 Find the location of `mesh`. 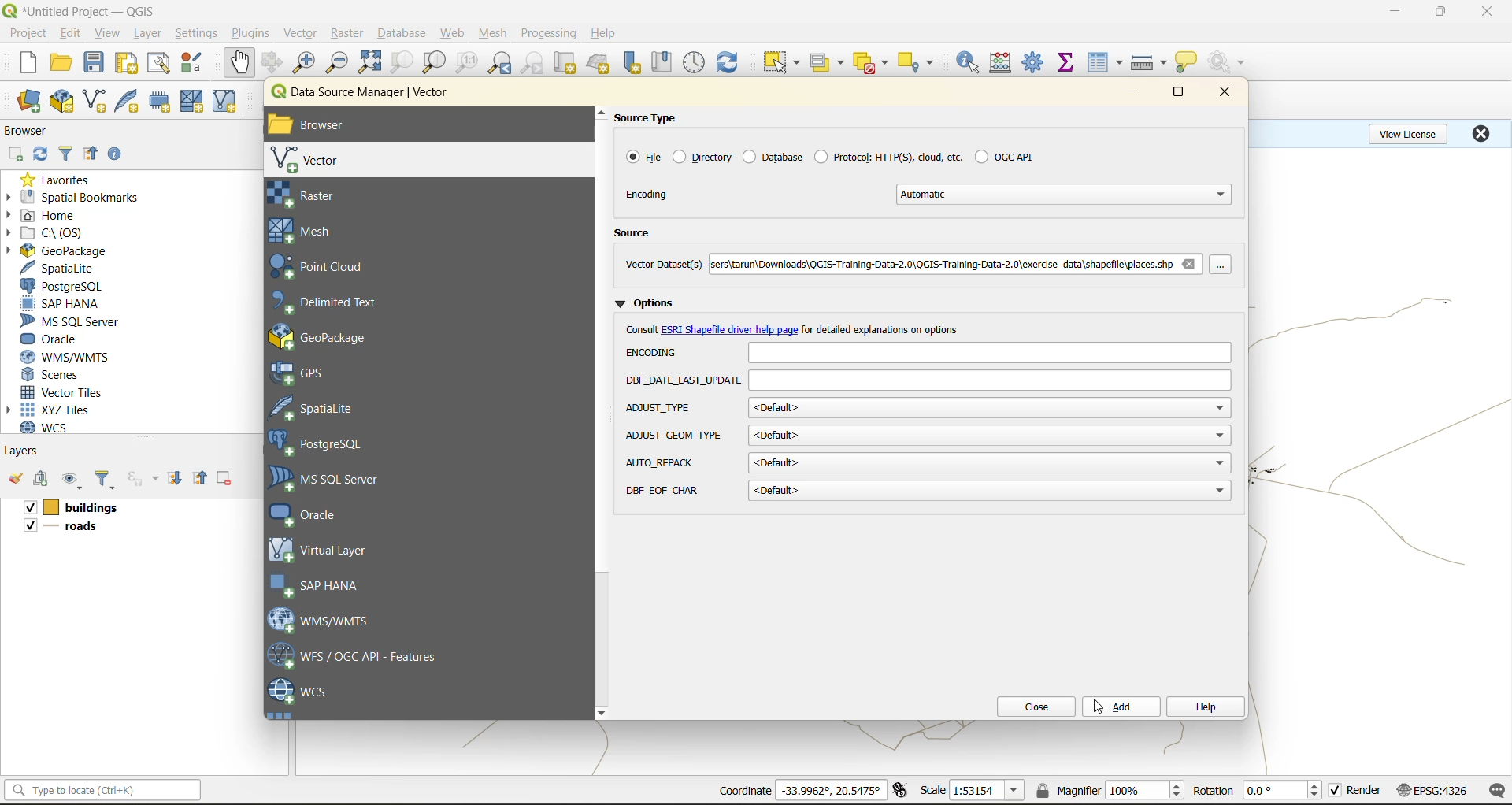

mesh is located at coordinates (308, 231).